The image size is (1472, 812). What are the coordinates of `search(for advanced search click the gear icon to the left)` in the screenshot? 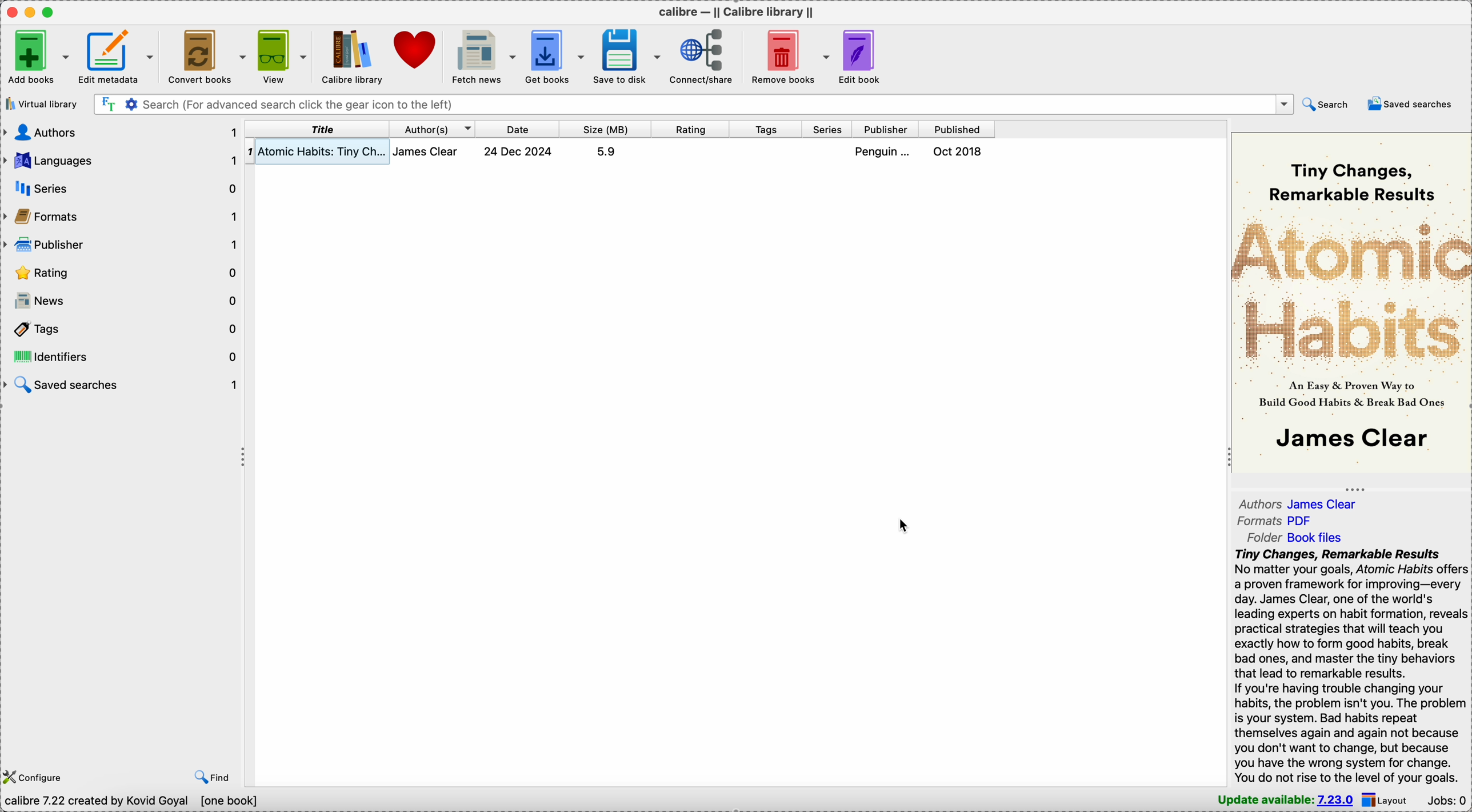 It's located at (693, 103).